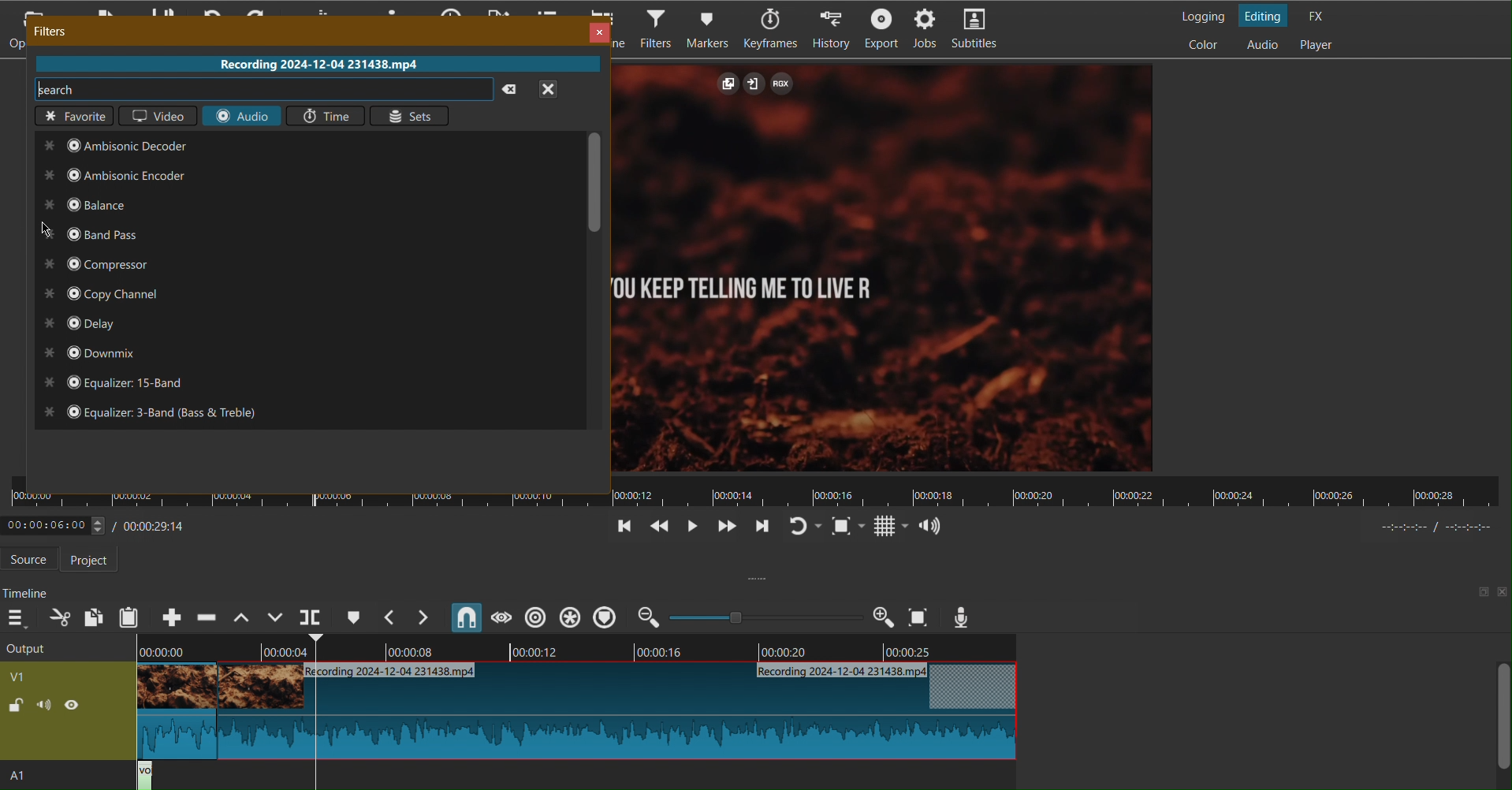 This screenshot has width=1512, height=790. Describe the element at coordinates (1503, 593) in the screenshot. I see `close` at that location.